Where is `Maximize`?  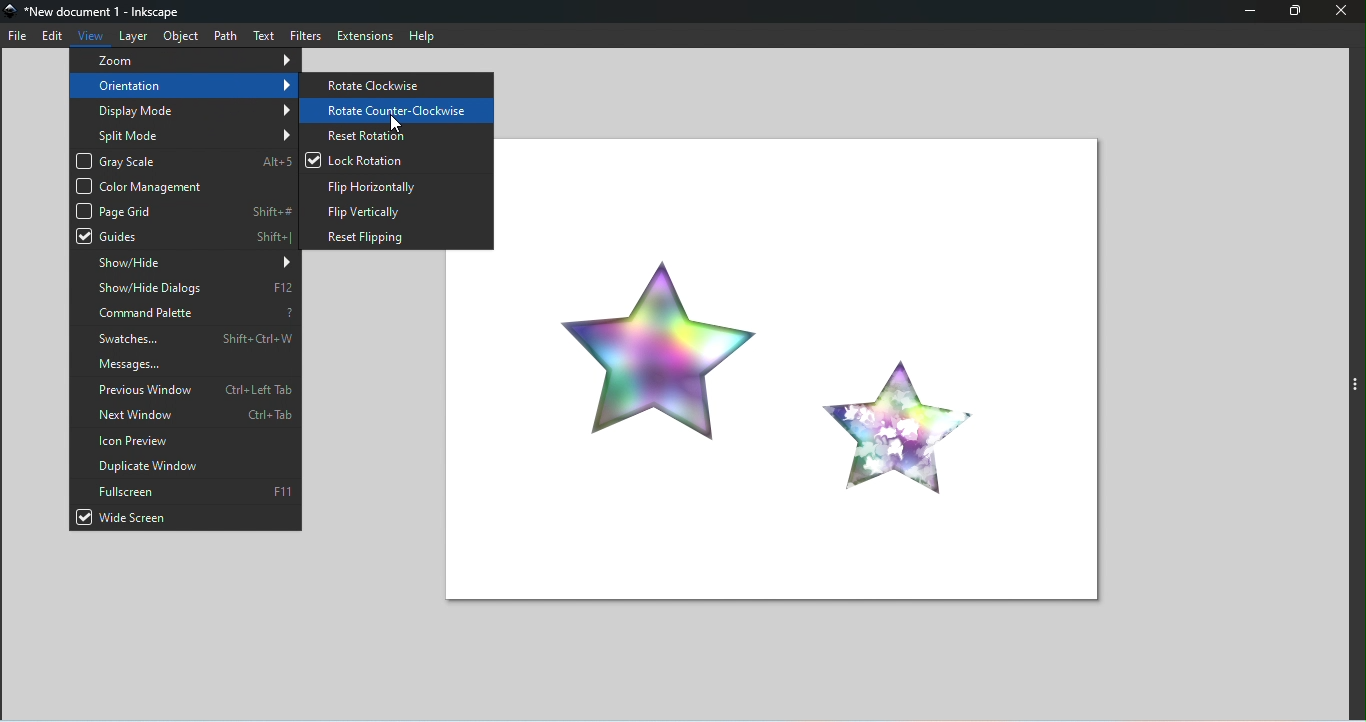
Maximize is located at coordinates (1300, 13).